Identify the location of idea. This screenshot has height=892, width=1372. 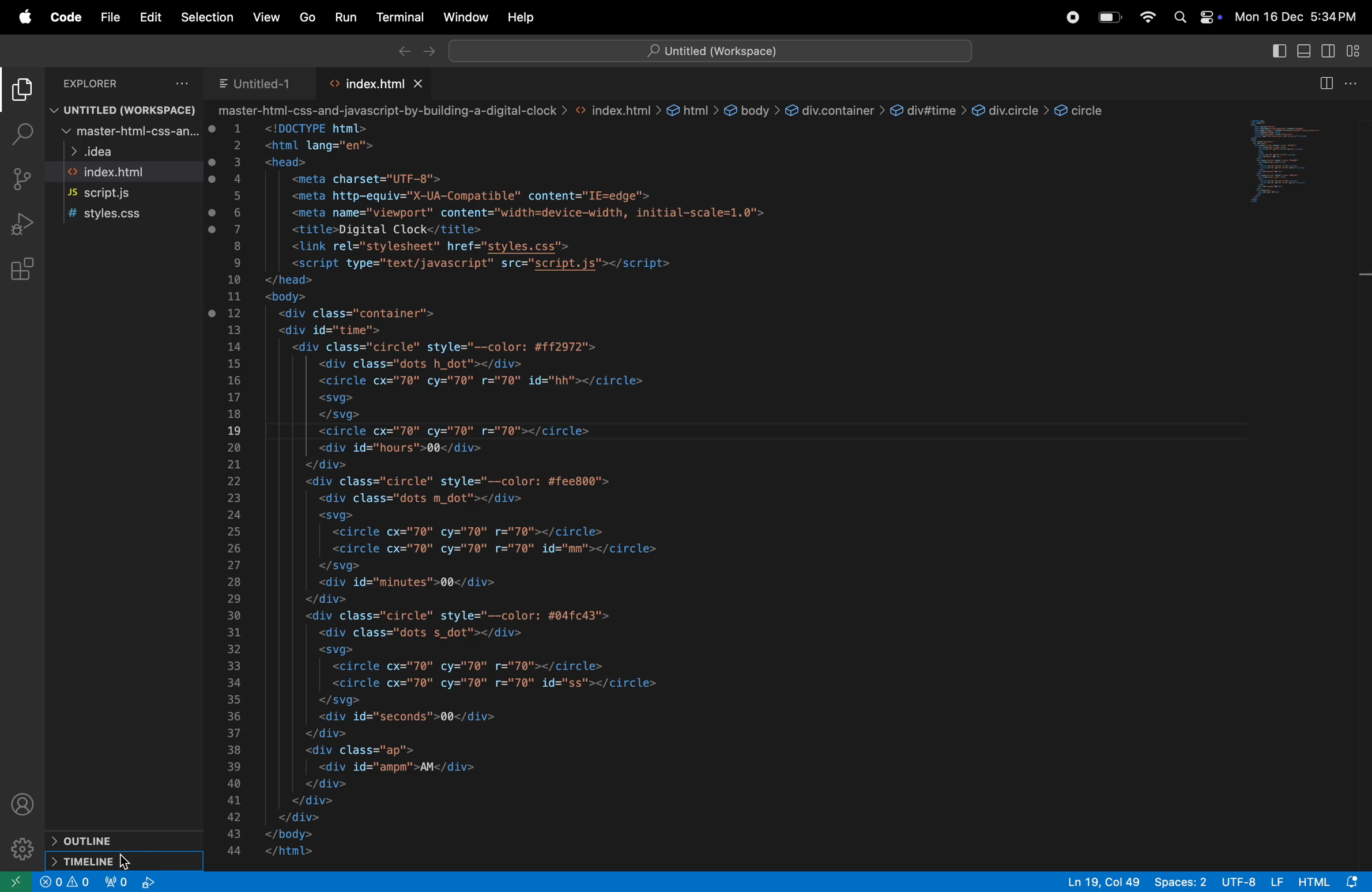
(91, 153).